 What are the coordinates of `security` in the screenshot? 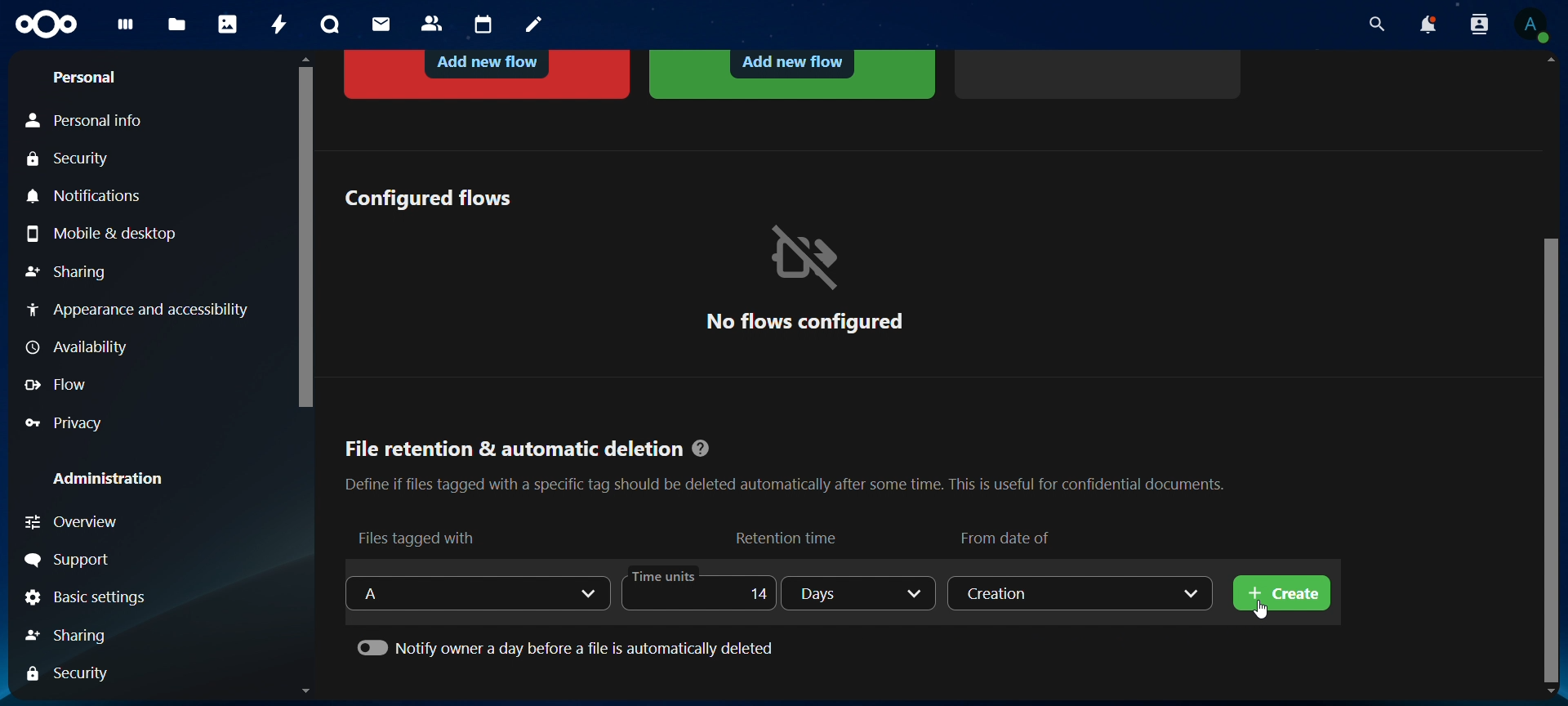 It's located at (73, 672).